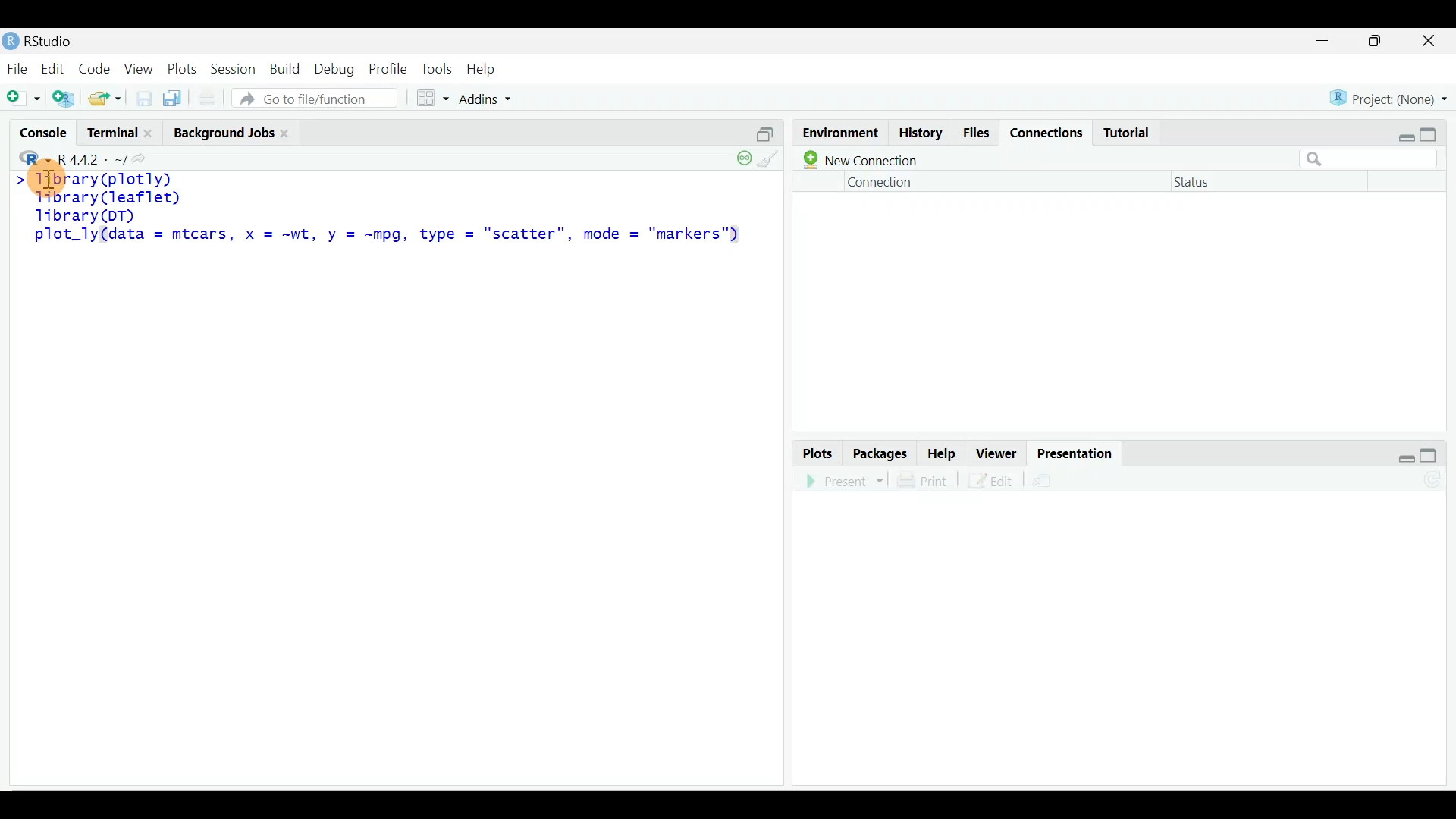  I want to click on New file, so click(24, 97).